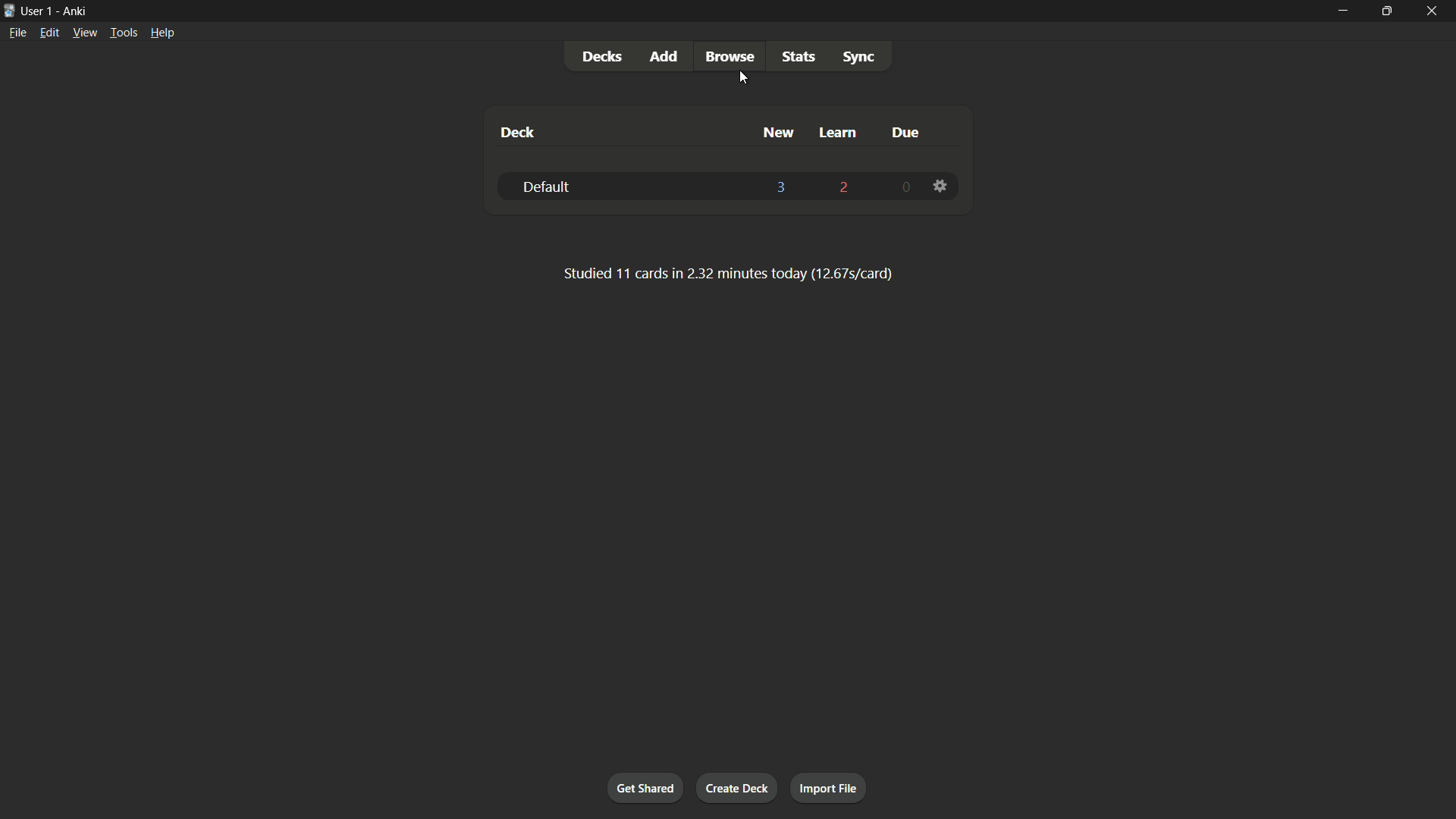  What do you see at coordinates (1434, 11) in the screenshot?
I see `close app` at bounding box center [1434, 11].